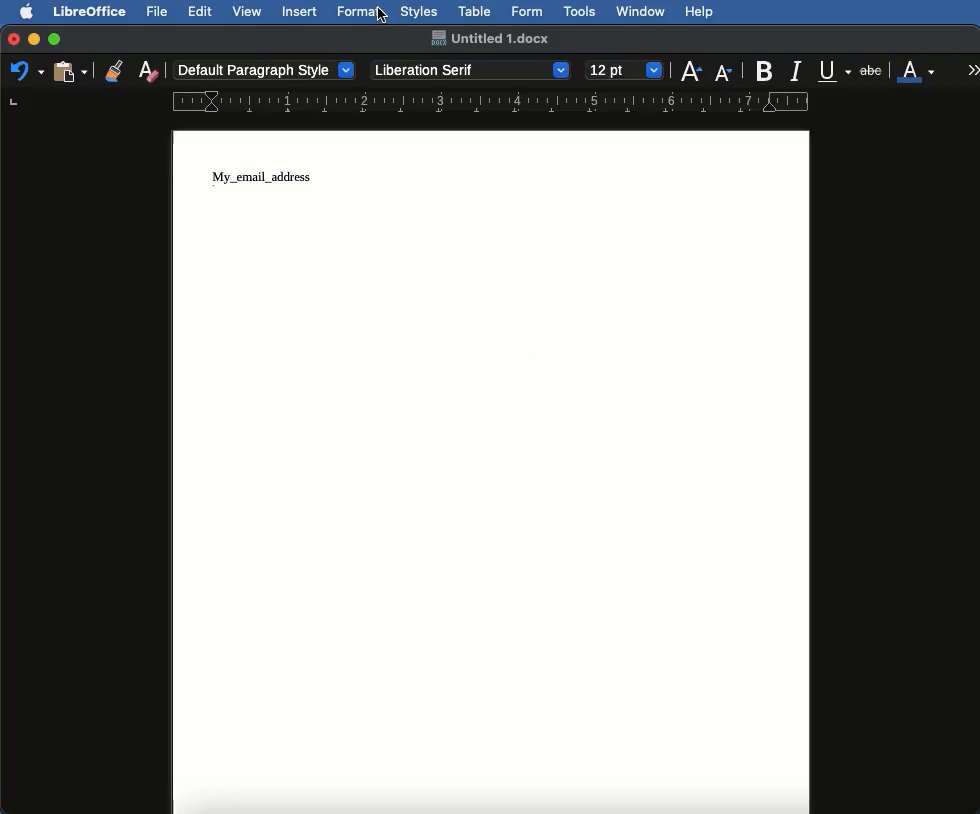  I want to click on , so click(380, 15).